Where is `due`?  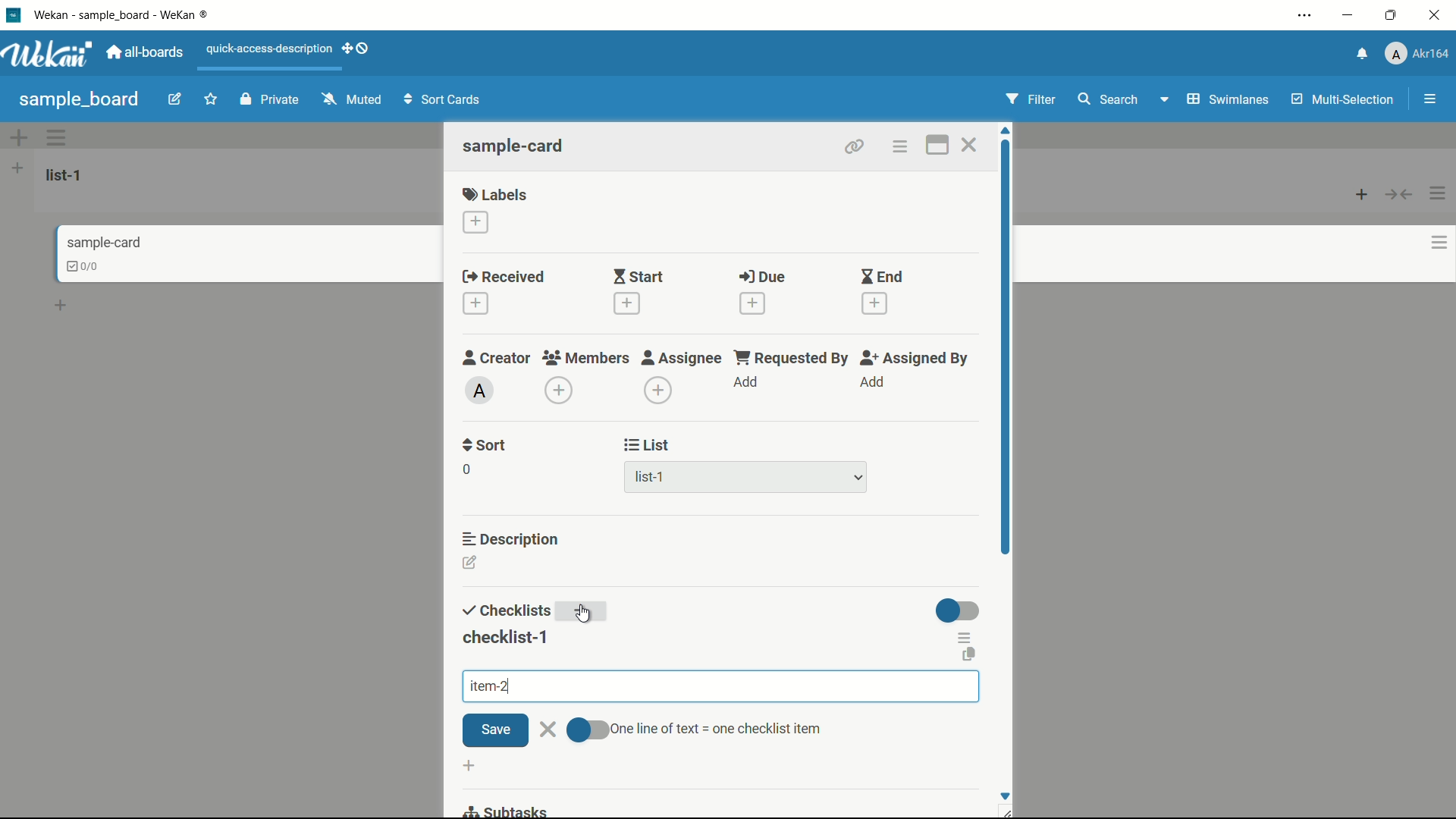
due is located at coordinates (762, 278).